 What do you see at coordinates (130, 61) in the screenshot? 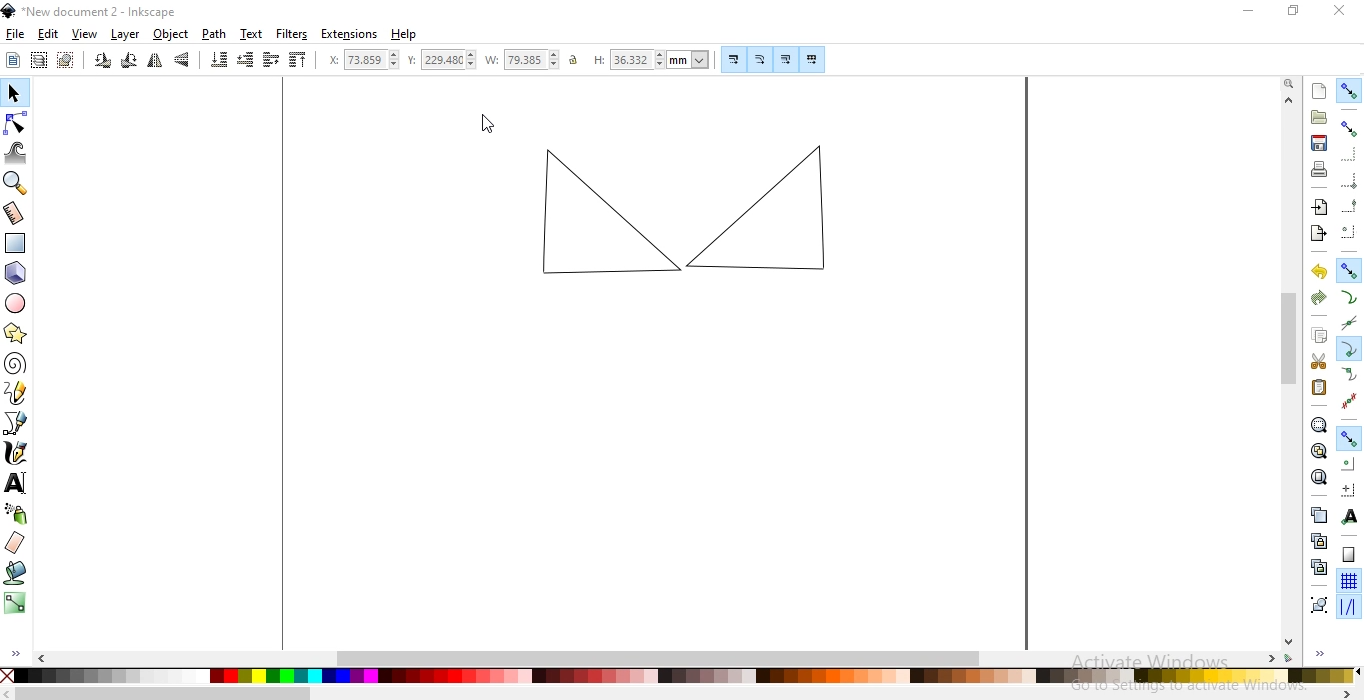
I see `rotate 90 clockwise` at bounding box center [130, 61].